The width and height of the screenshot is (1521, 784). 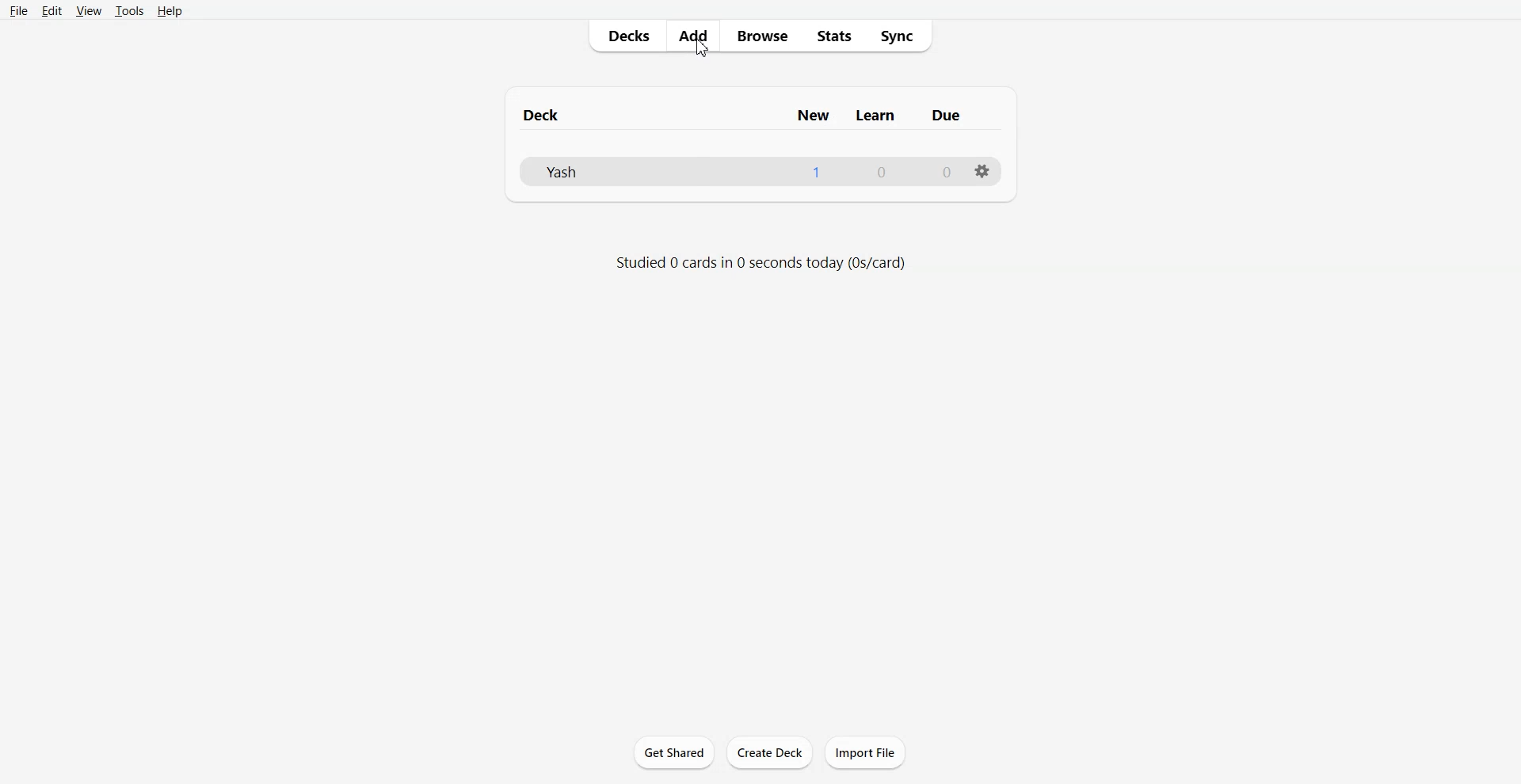 What do you see at coordinates (674, 751) in the screenshot?
I see `Get Shared` at bounding box center [674, 751].